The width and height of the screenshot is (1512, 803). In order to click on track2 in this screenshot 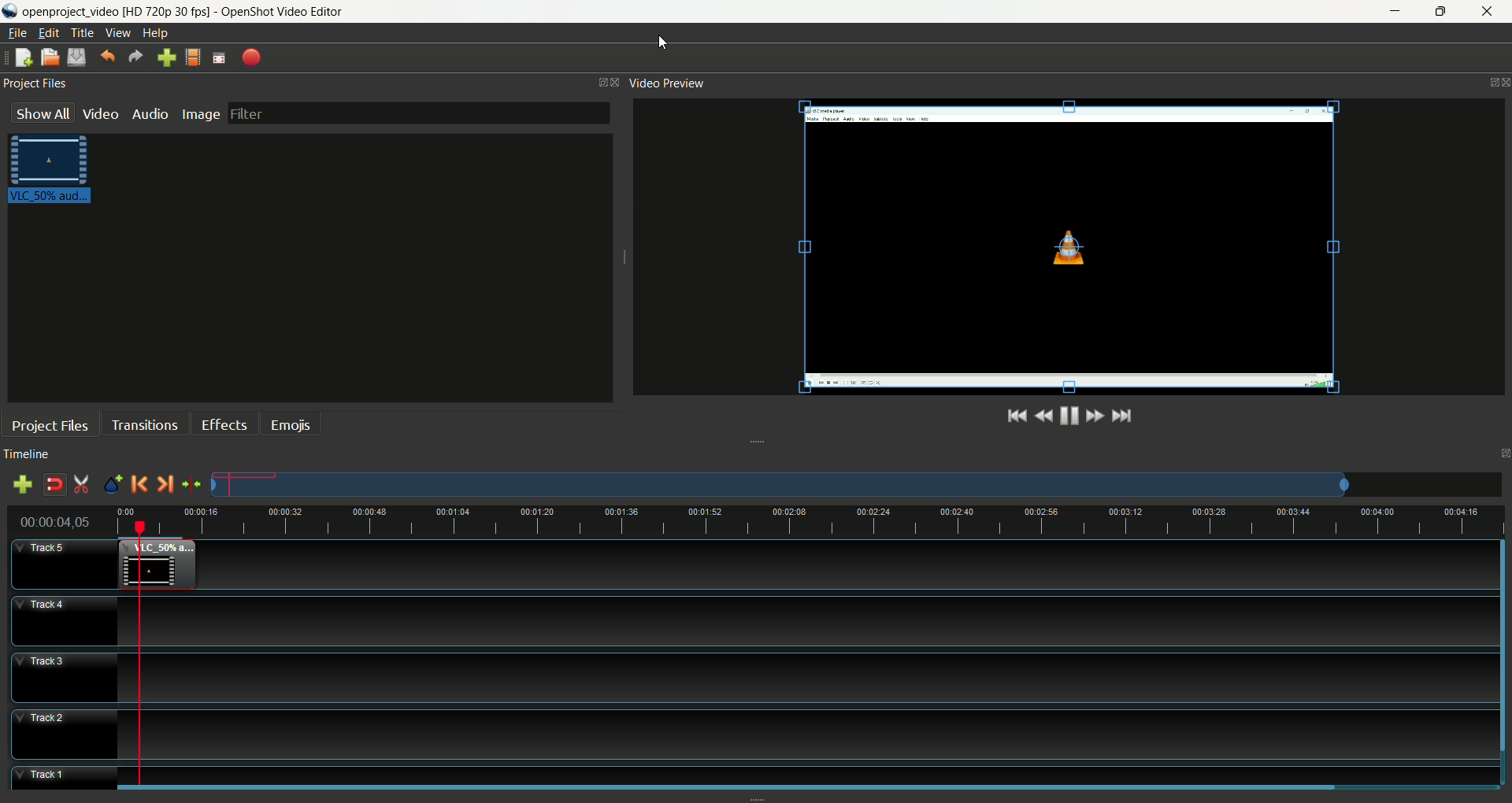, I will do `click(65, 735)`.